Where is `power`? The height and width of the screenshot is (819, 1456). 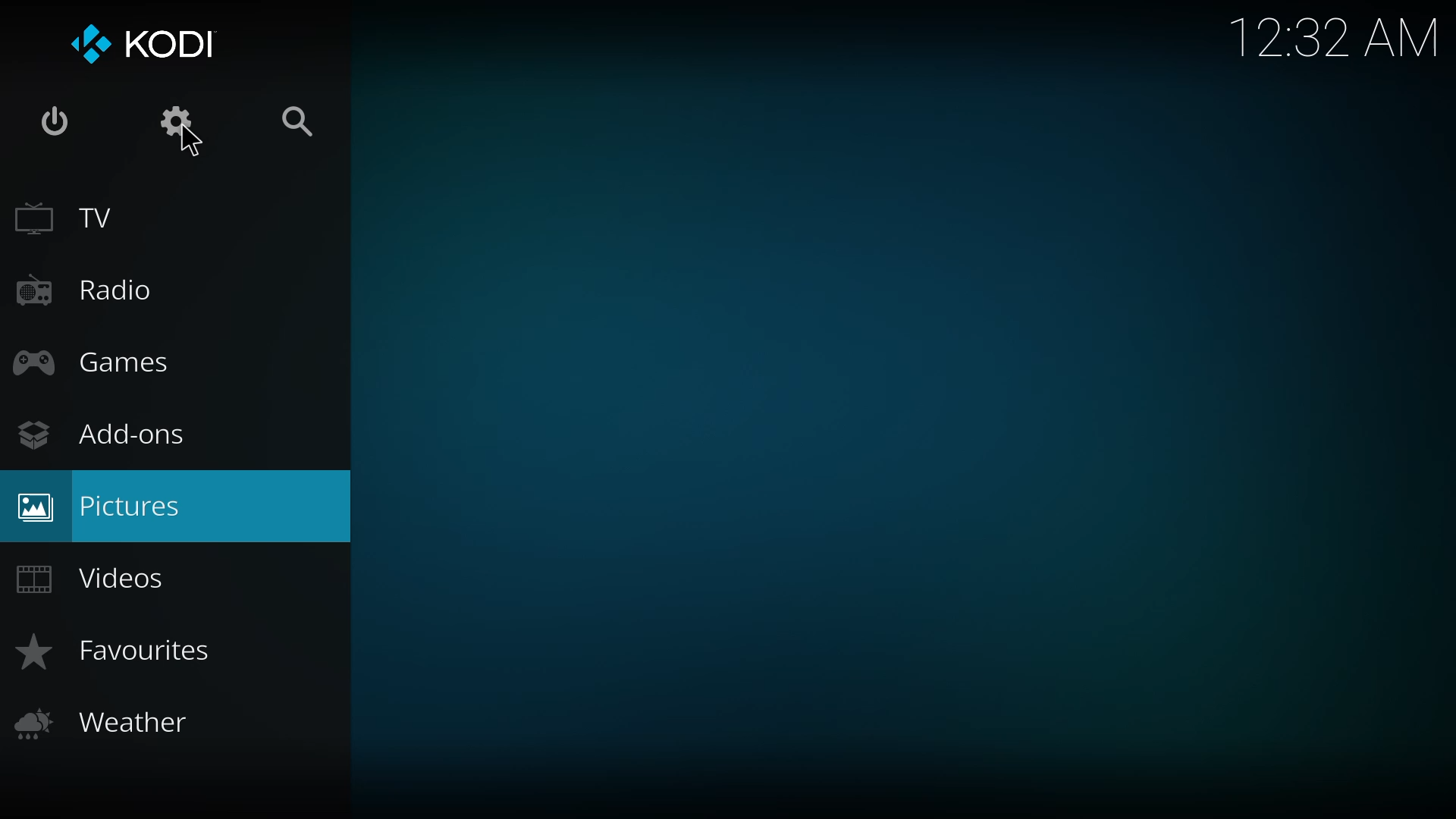
power is located at coordinates (55, 117).